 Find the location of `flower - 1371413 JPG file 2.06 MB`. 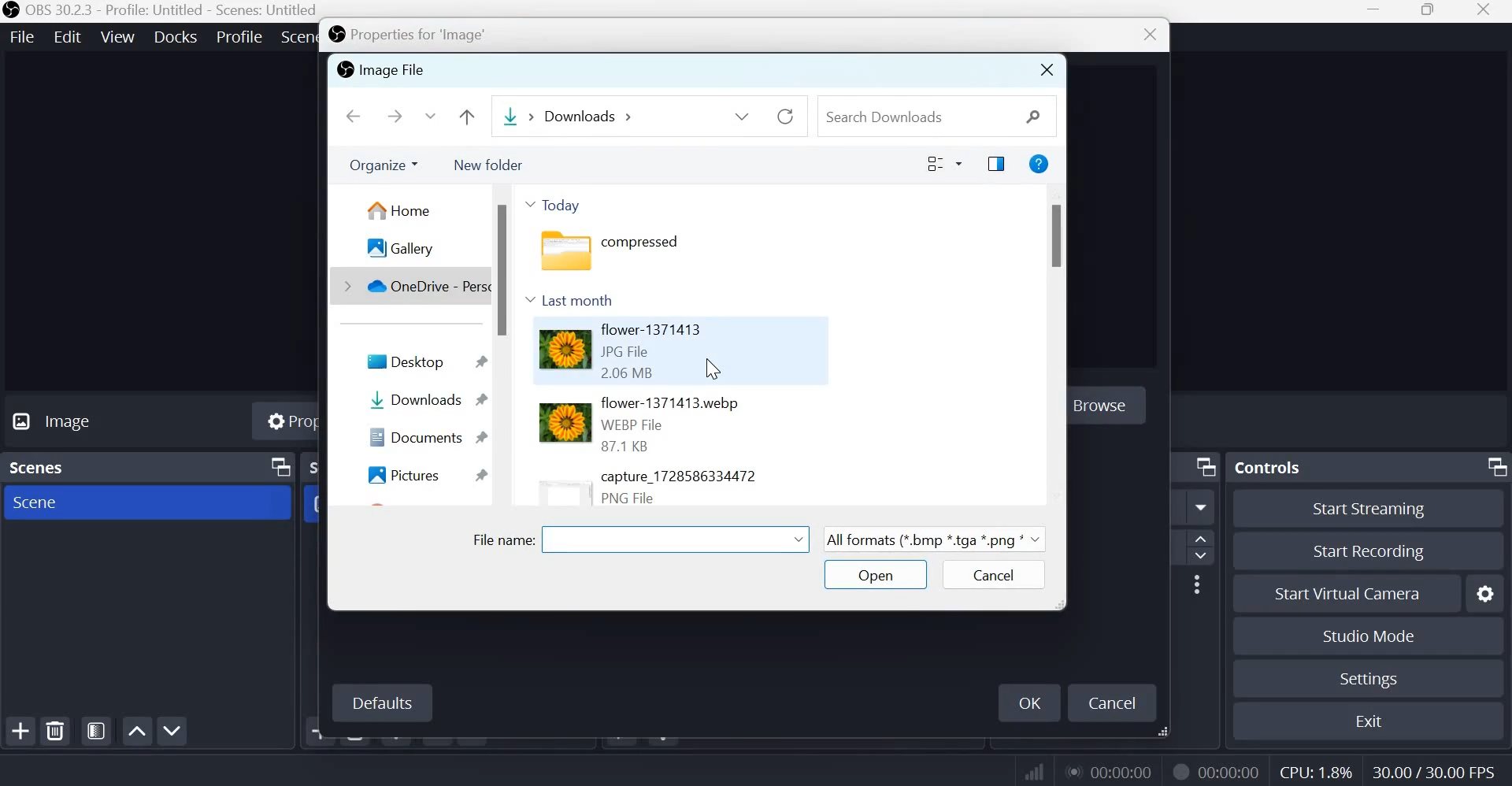

flower - 1371413 JPG file 2.06 MB is located at coordinates (615, 351).